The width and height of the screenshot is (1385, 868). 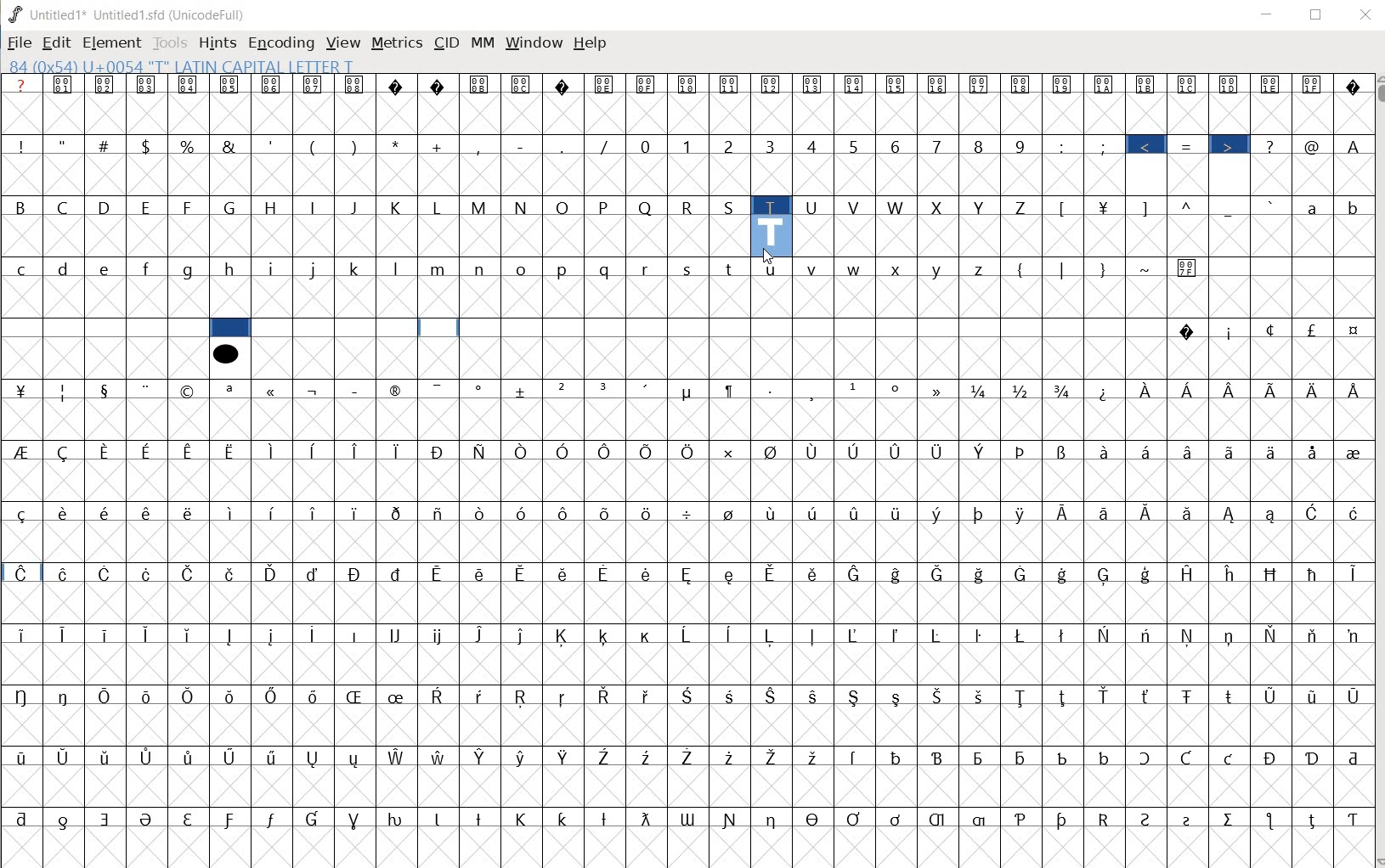 What do you see at coordinates (606, 573) in the screenshot?
I see `Symbol` at bounding box center [606, 573].